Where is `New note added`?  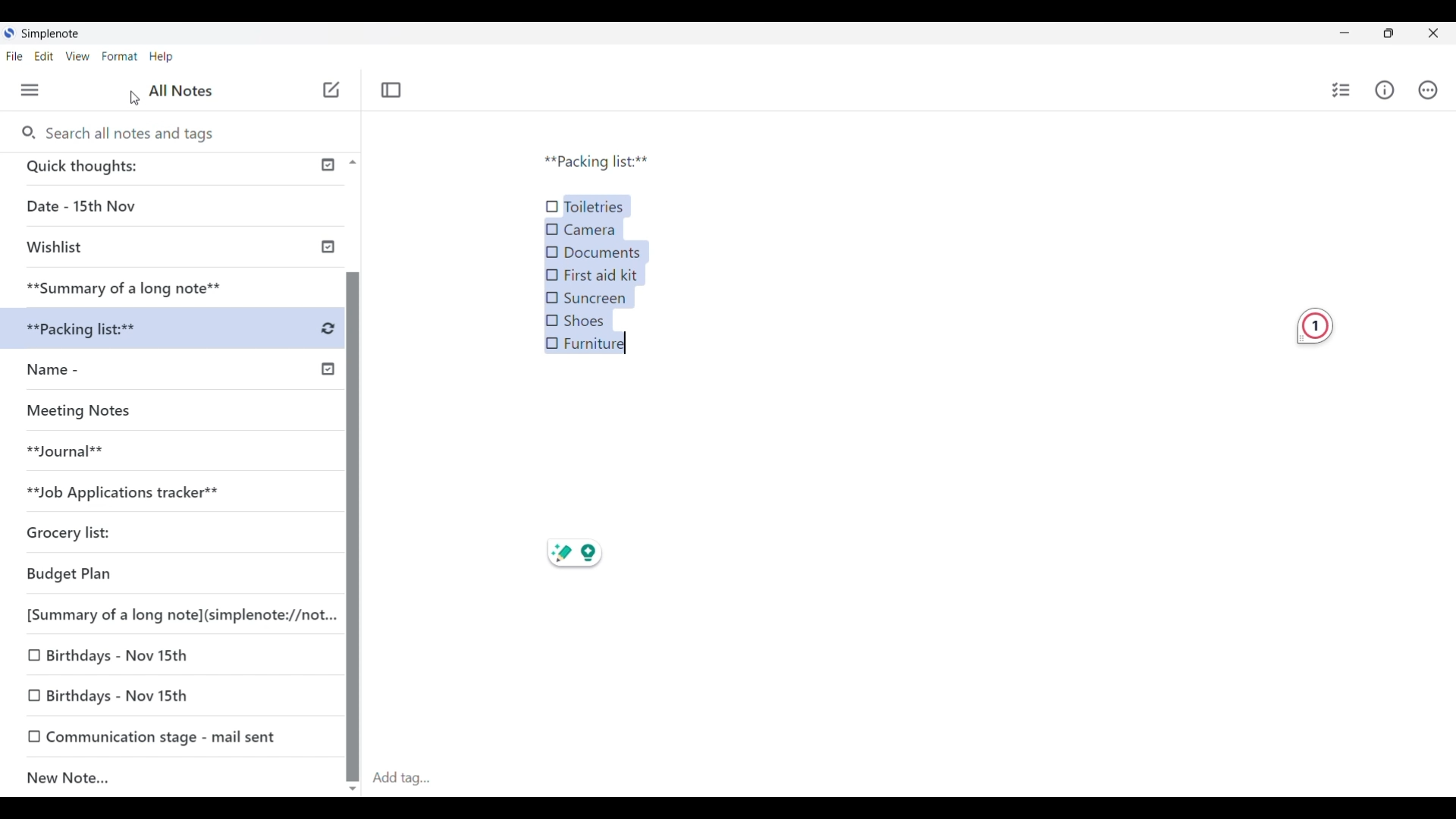
New note added is located at coordinates (158, 778).